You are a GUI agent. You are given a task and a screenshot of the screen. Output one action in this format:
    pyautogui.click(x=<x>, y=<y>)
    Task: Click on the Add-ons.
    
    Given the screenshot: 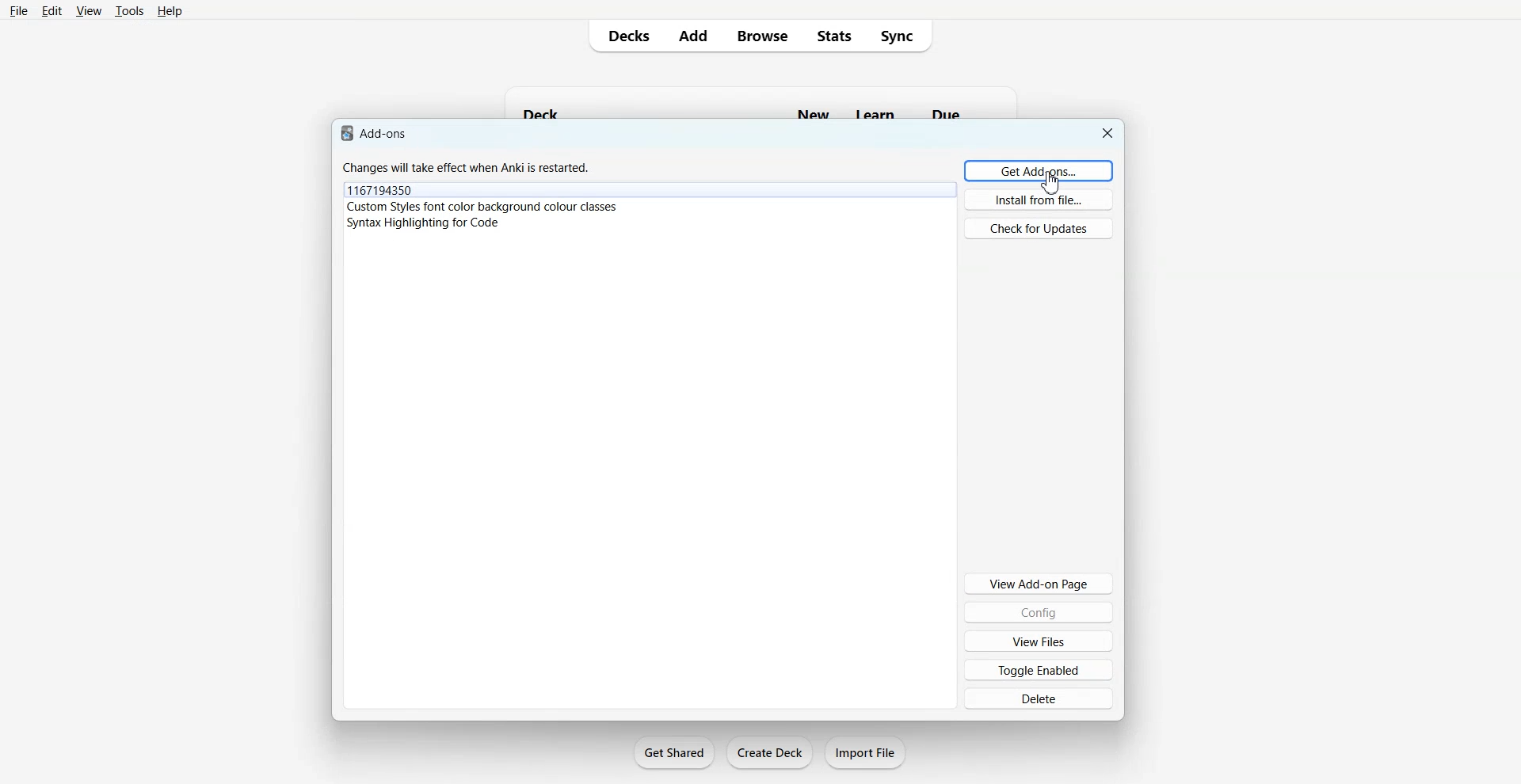 What is the action you would take?
    pyautogui.click(x=376, y=131)
    